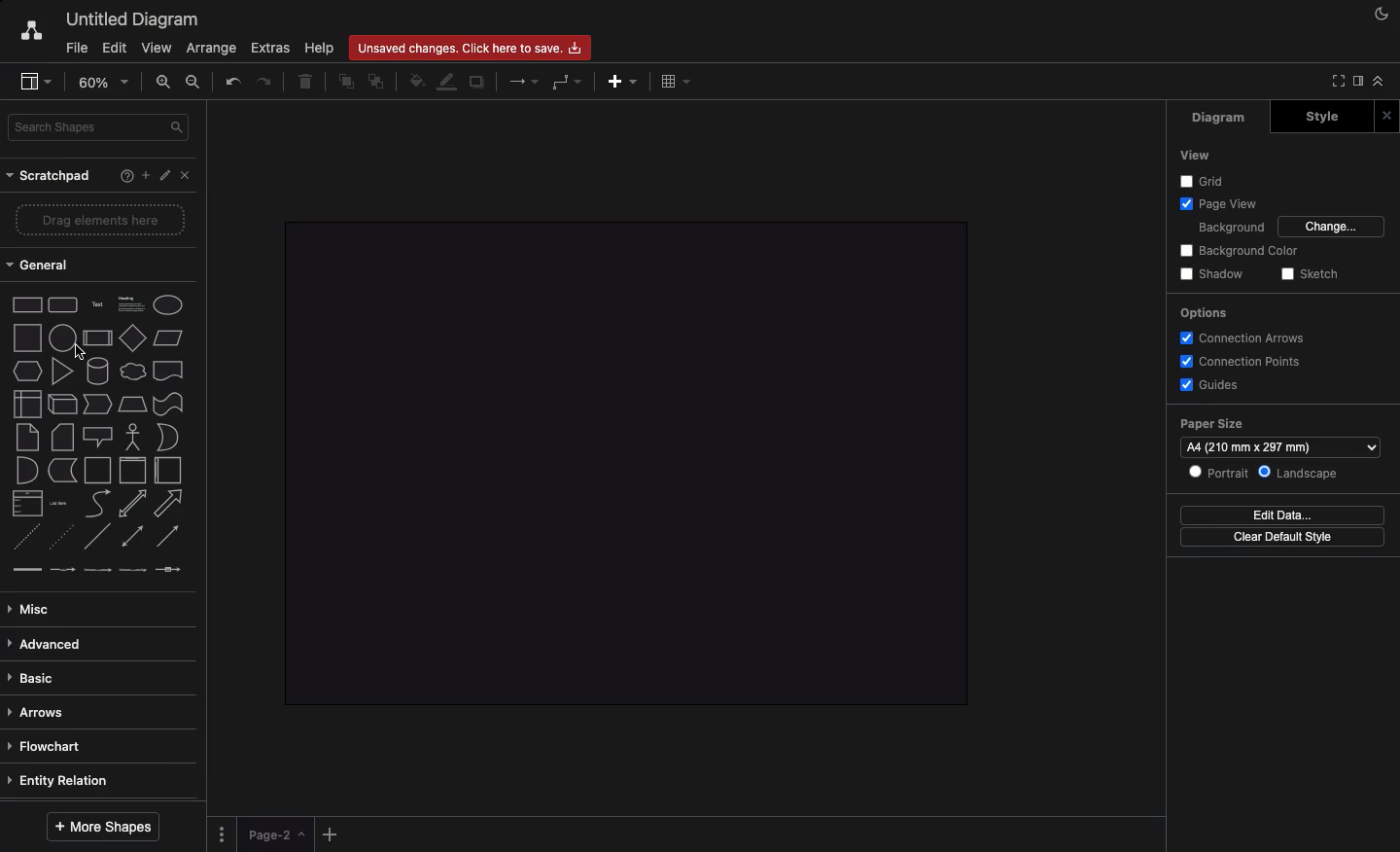 The height and width of the screenshot is (852, 1400). Describe the element at coordinates (675, 82) in the screenshot. I see `Table` at that location.